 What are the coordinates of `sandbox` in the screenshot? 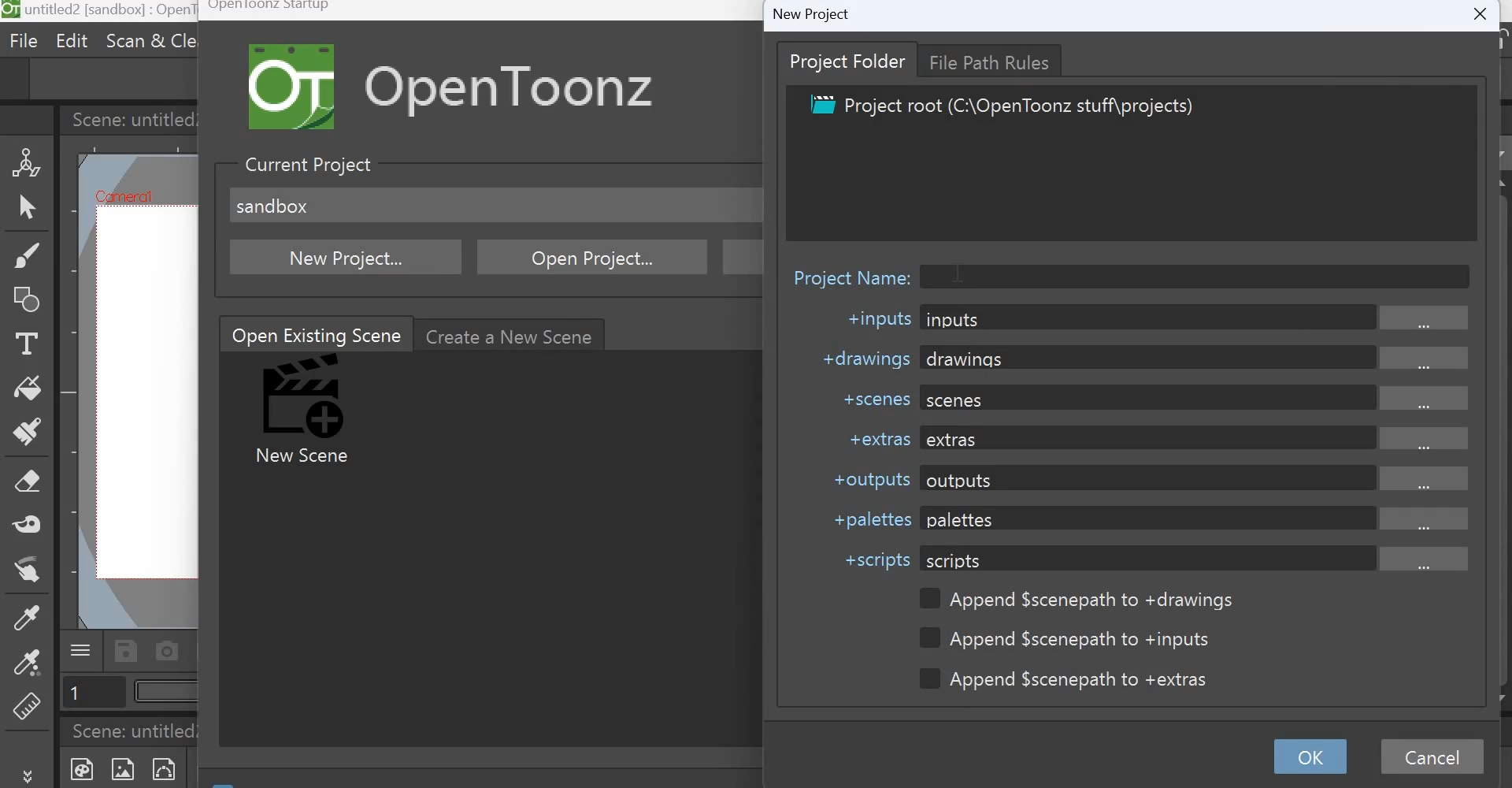 It's located at (272, 206).